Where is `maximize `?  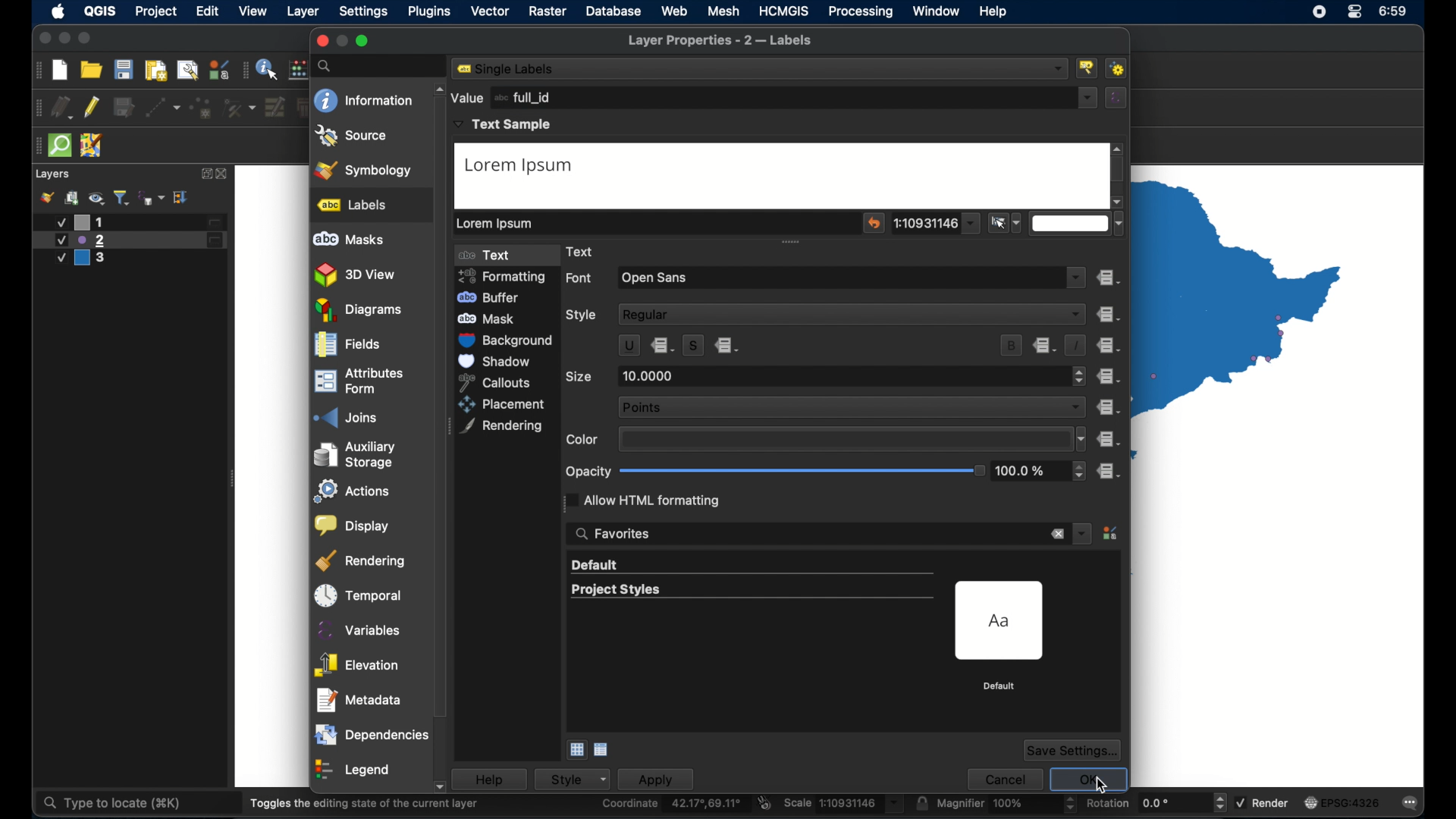 maximize  is located at coordinates (86, 39).